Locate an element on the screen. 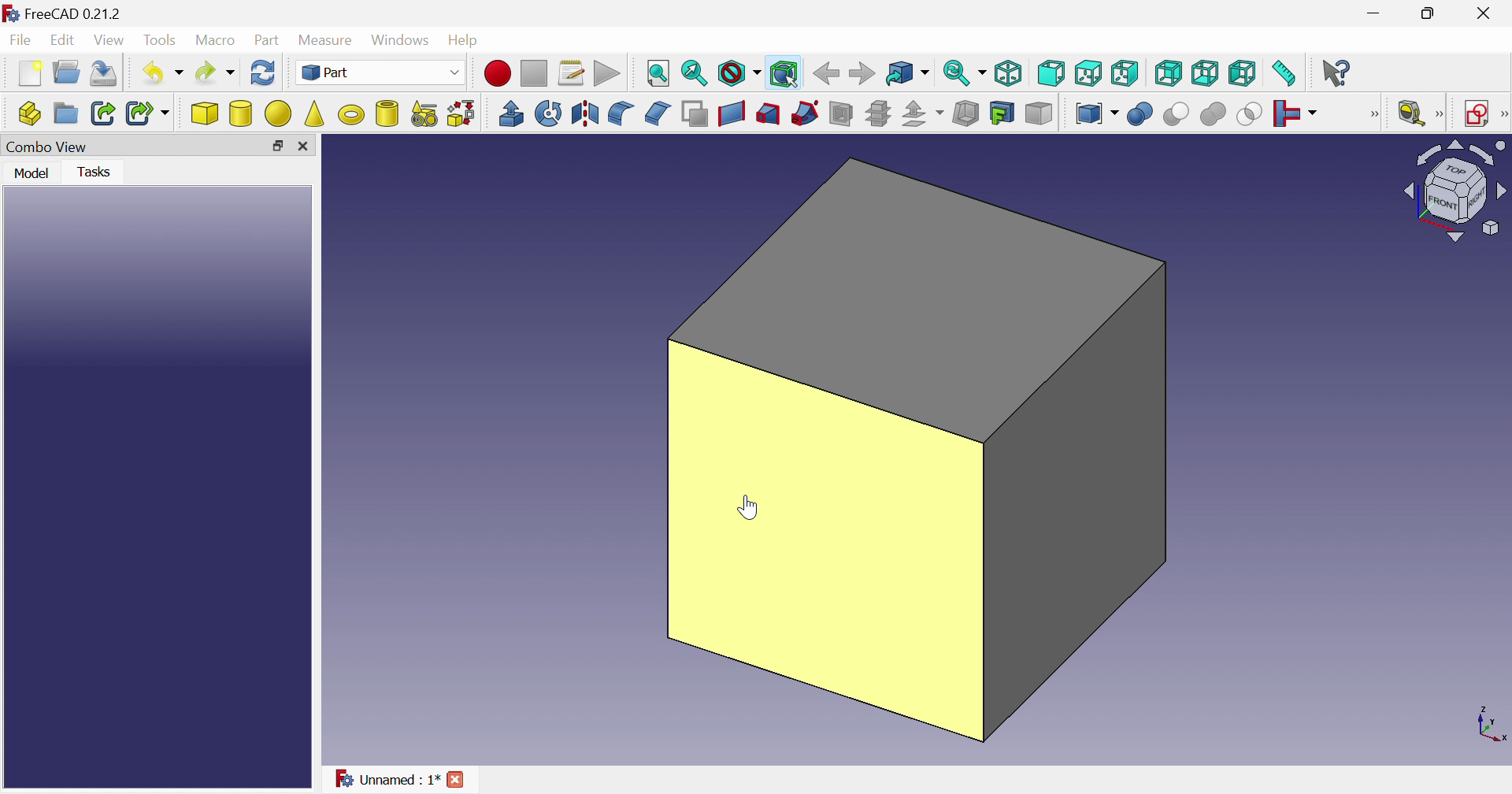 The width and height of the screenshot is (1512, 794). Right is located at coordinates (1125, 73).